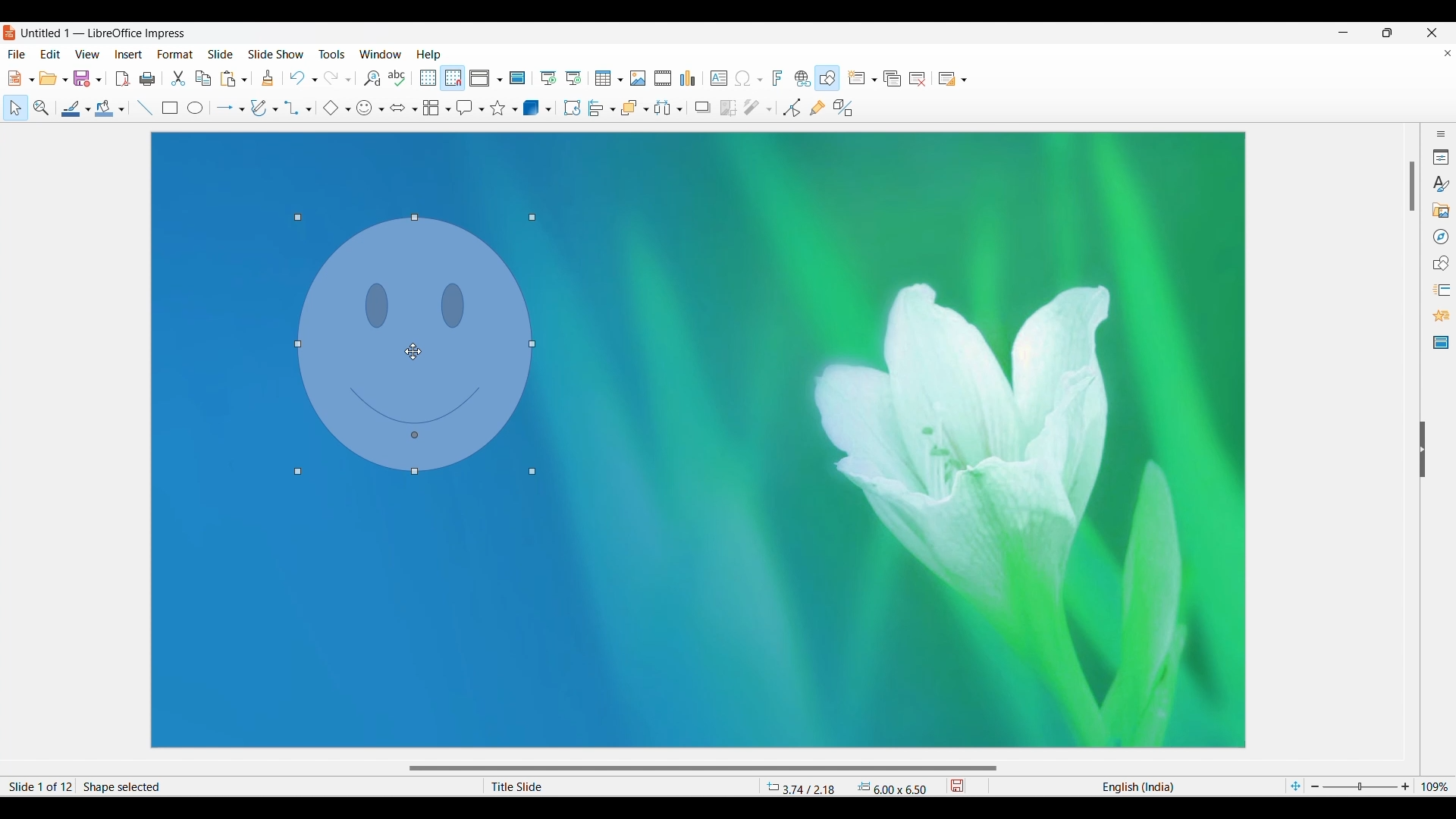 The height and width of the screenshot is (819, 1456). Describe the element at coordinates (804, 786) in the screenshot. I see `3.74 / 2.18` at that location.